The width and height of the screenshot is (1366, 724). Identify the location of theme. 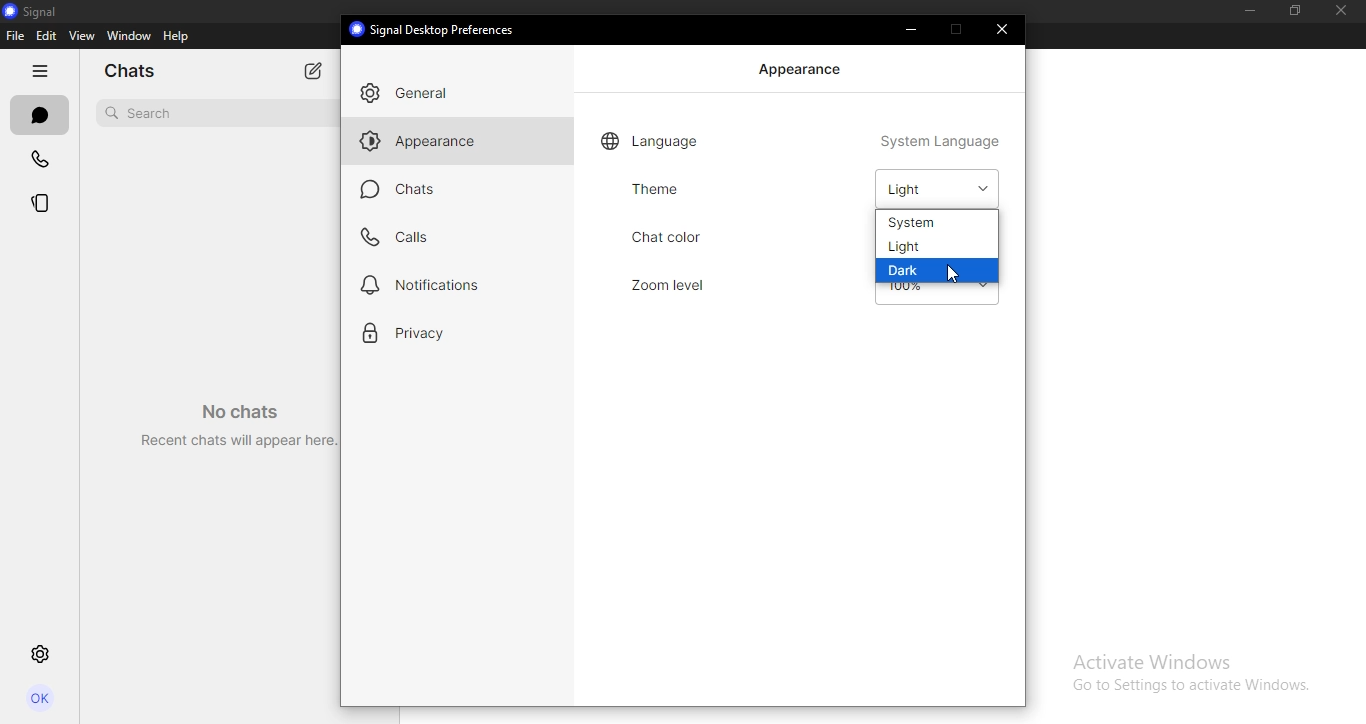
(654, 188).